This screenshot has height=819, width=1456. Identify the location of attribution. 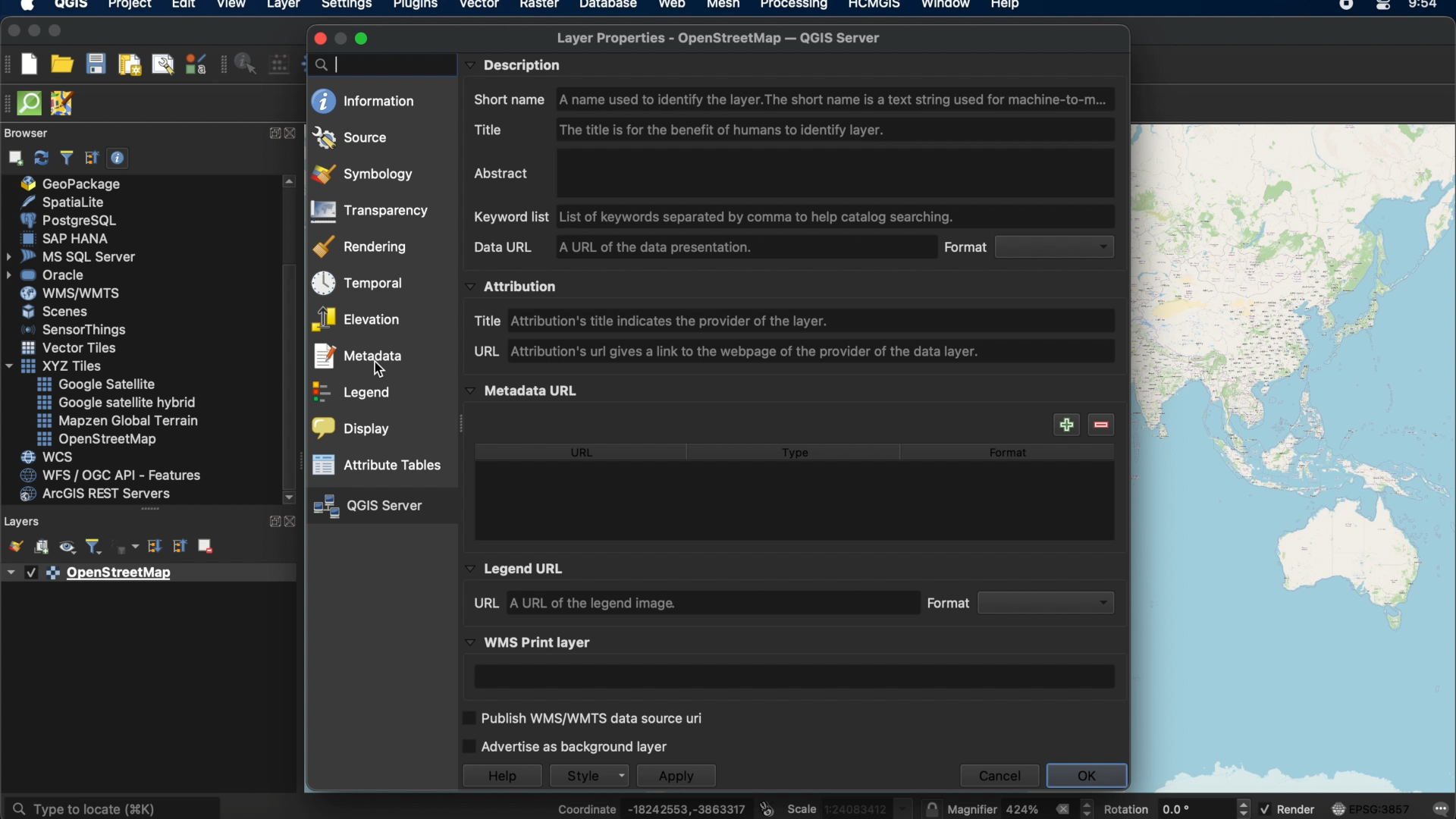
(516, 287).